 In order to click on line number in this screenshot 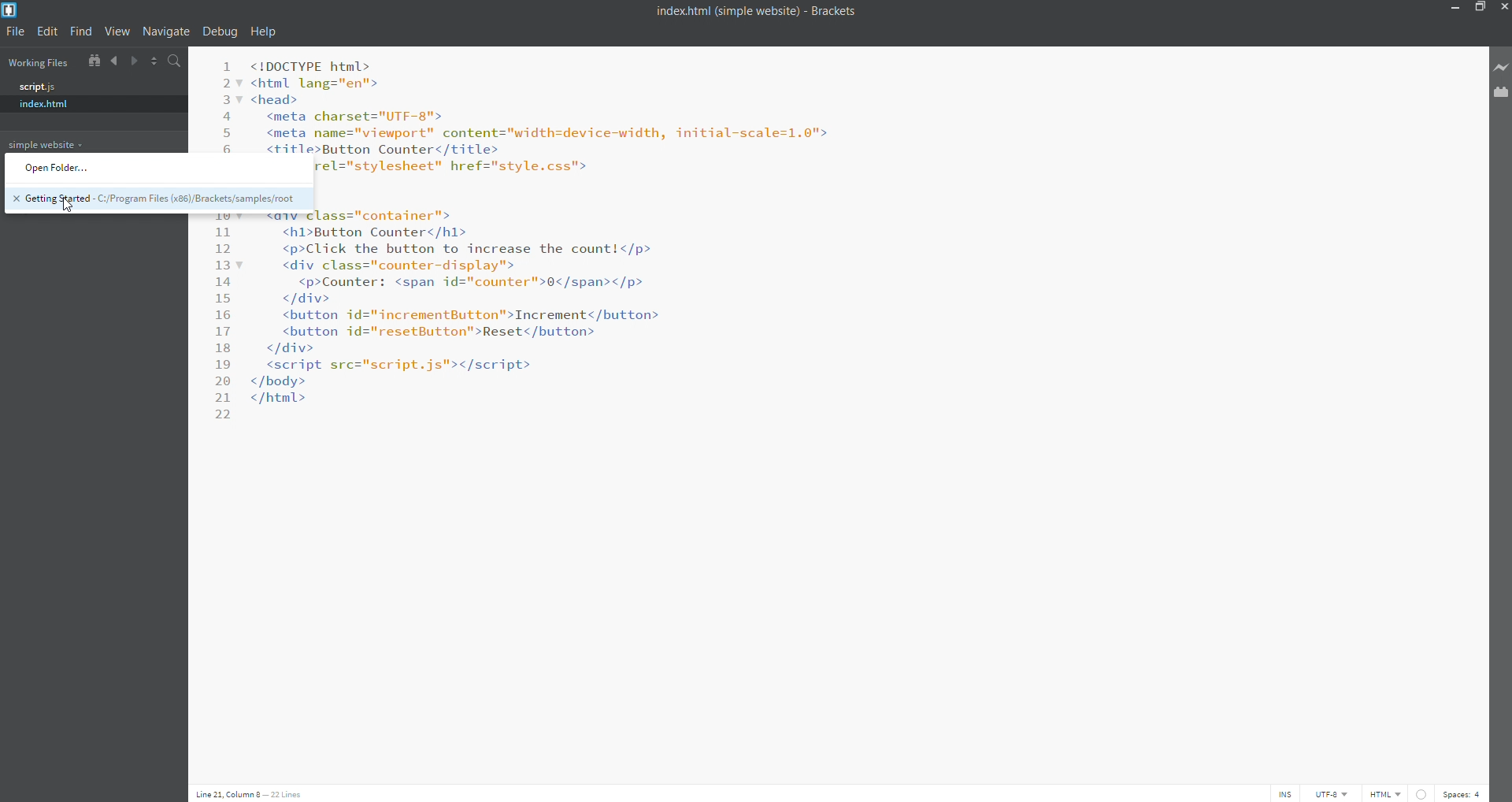, I will do `click(218, 102)`.